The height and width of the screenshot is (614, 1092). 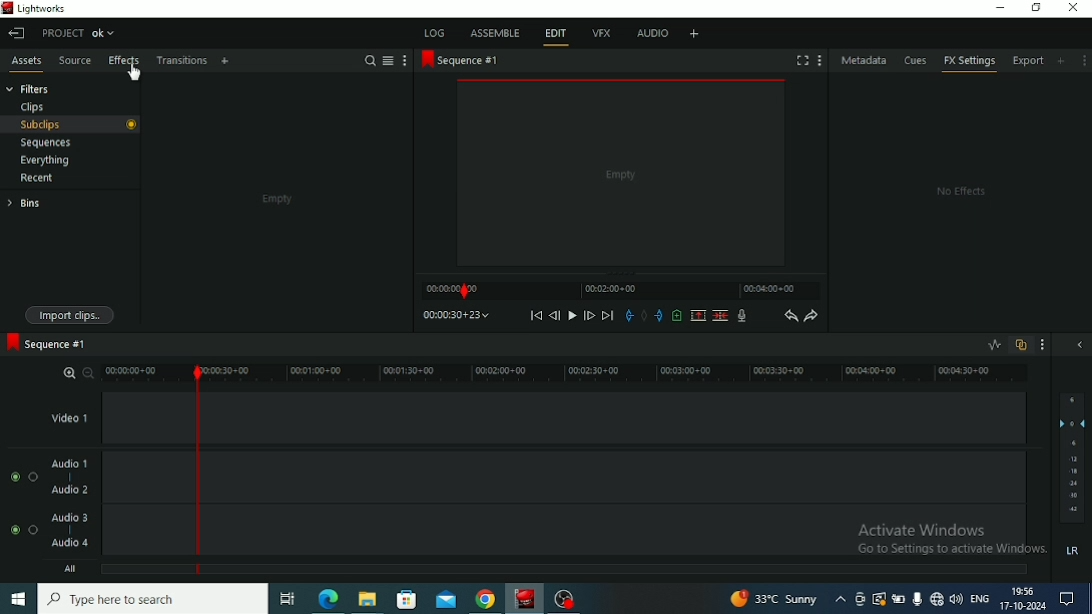 I want to click on Add an in mark at current position, so click(x=629, y=315).